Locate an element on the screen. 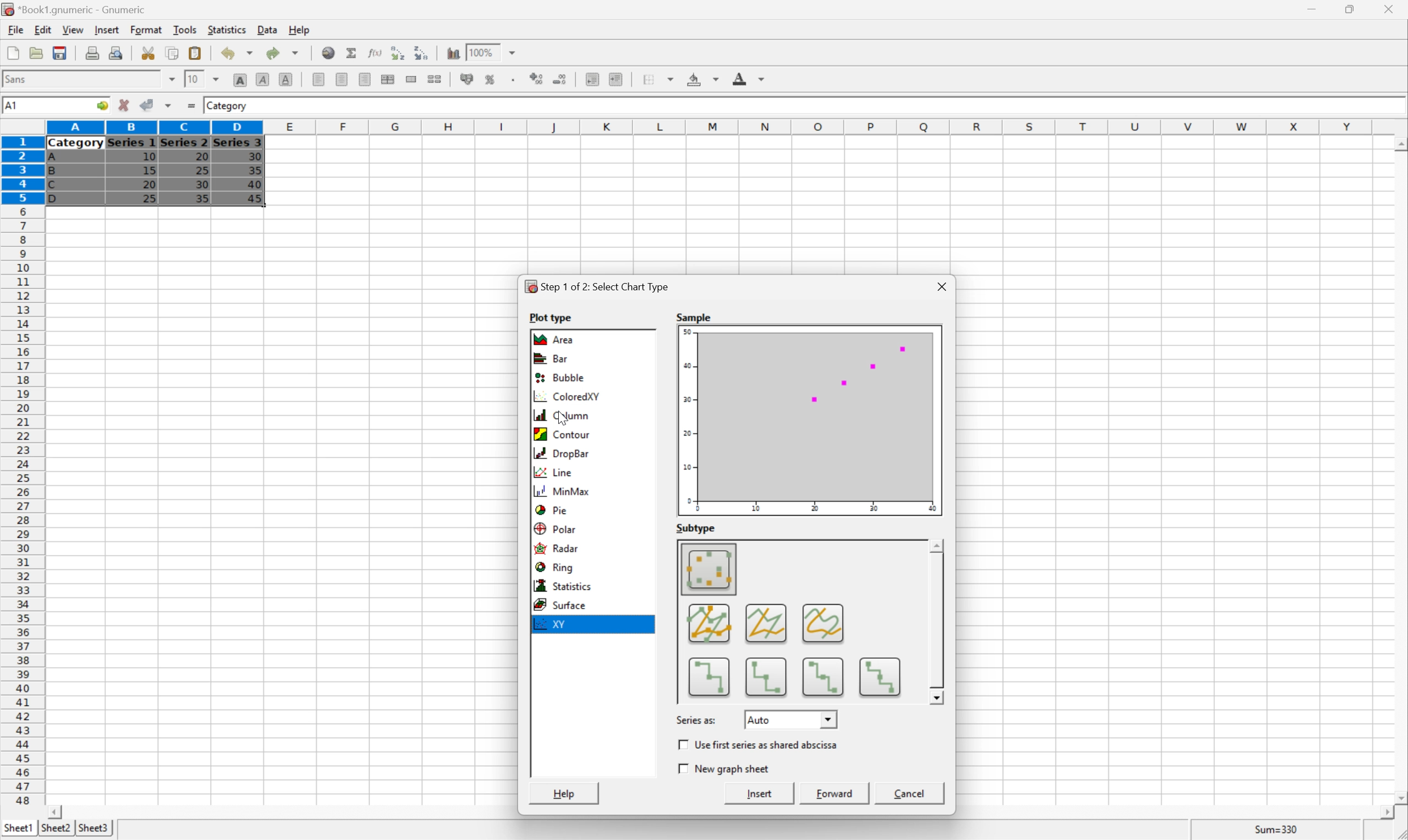 Image resolution: width=1408 pixels, height=840 pixels. Drop Down is located at coordinates (829, 718).